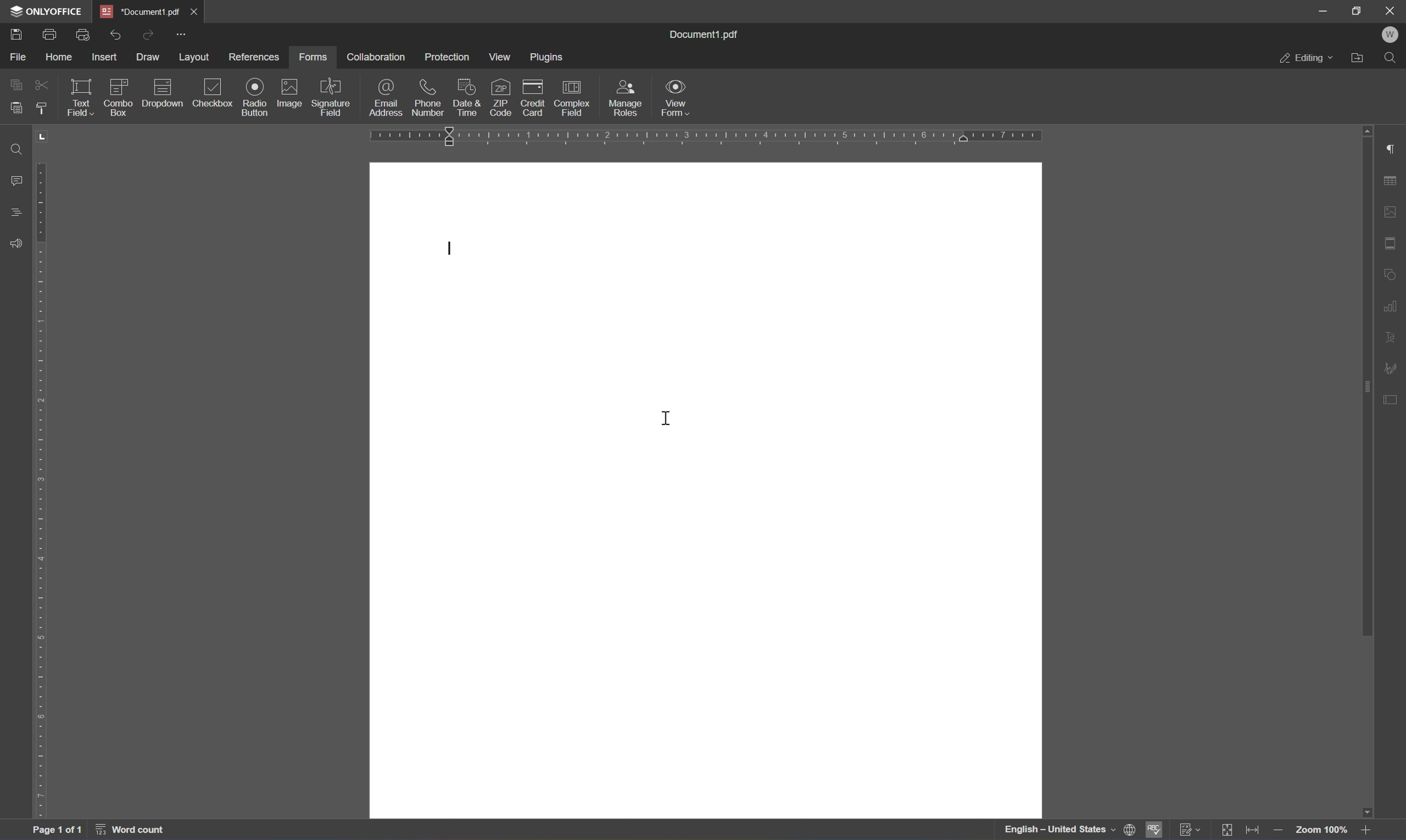 This screenshot has width=1406, height=840. Describe the element at coordinates (1390, 11) in the screenshot. I see `close` at that location.